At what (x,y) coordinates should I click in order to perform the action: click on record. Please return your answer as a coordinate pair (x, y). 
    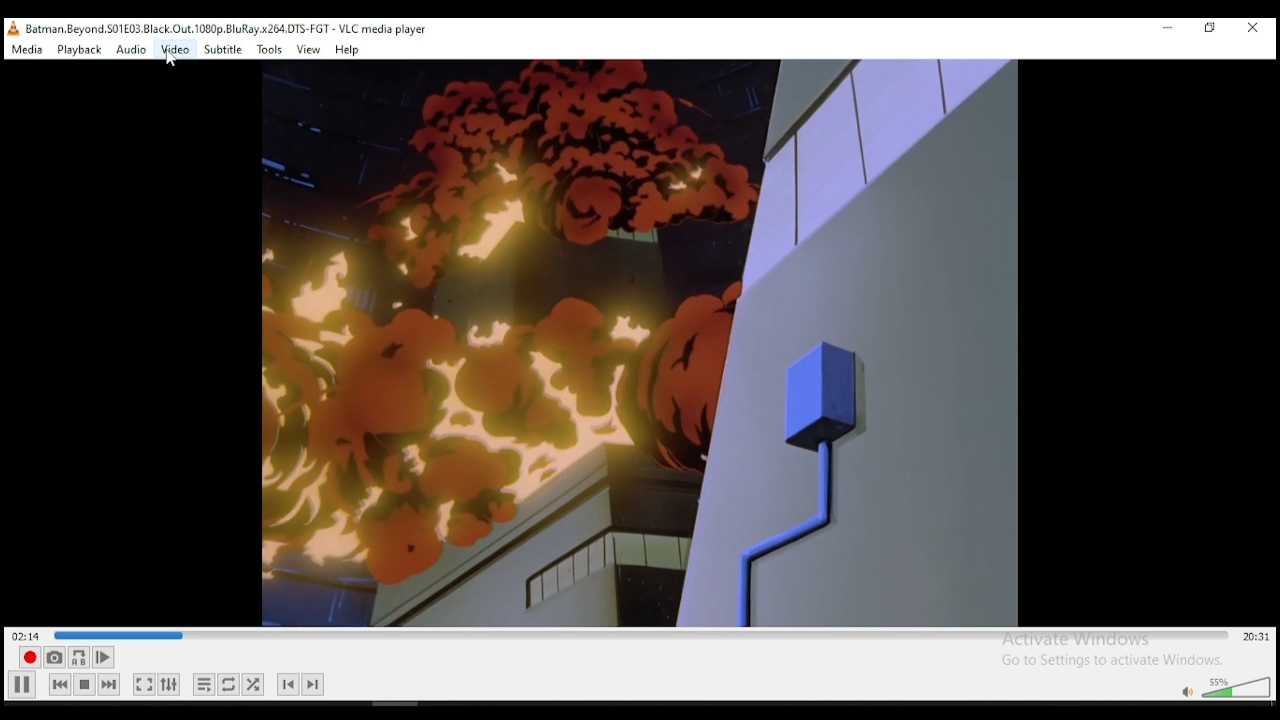
    Looking at the image, I should click on (28, 656).